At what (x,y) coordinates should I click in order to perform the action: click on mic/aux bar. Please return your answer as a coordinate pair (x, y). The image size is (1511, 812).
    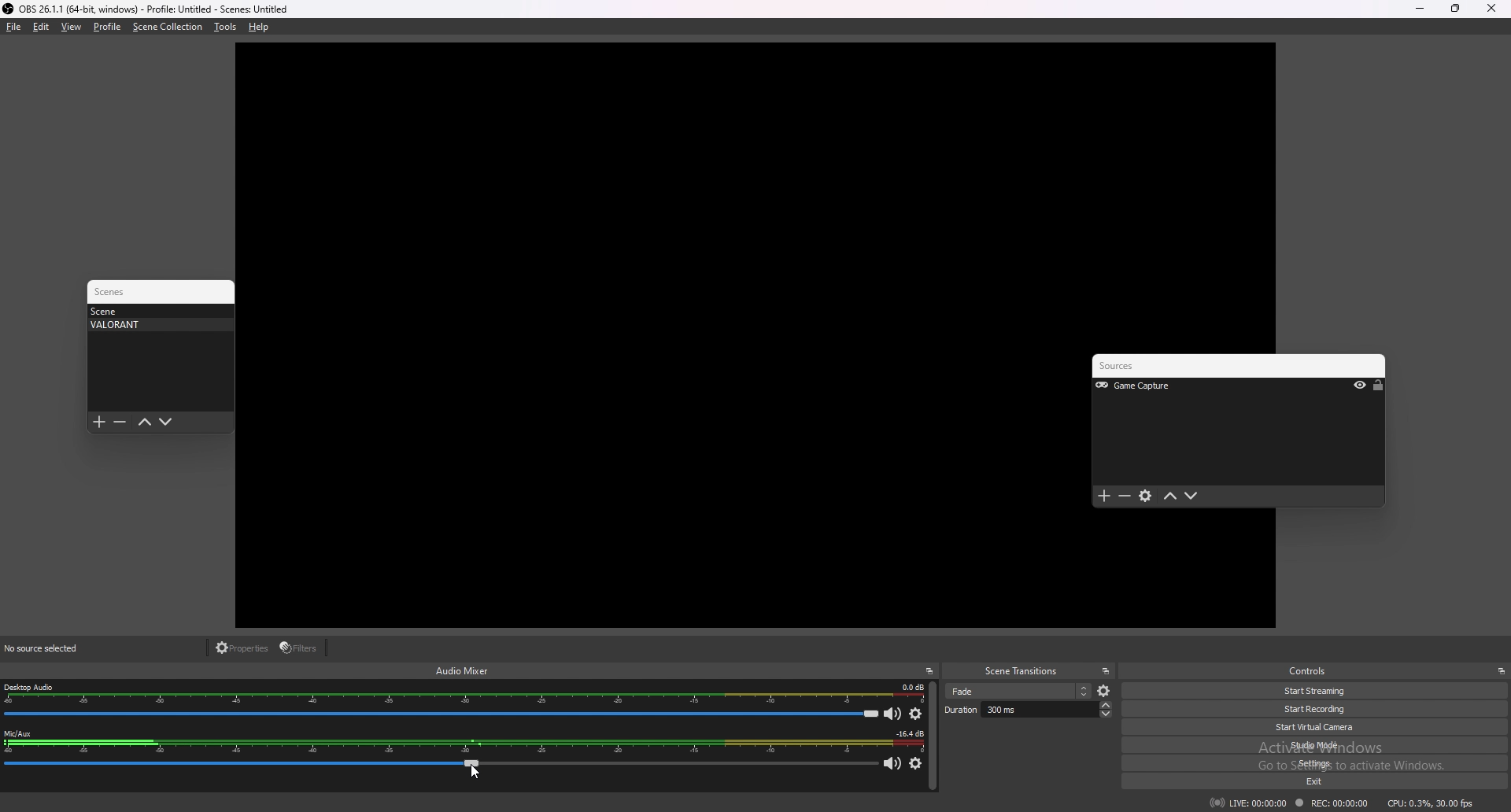
    Looking at the image, I should click on (441, 767).